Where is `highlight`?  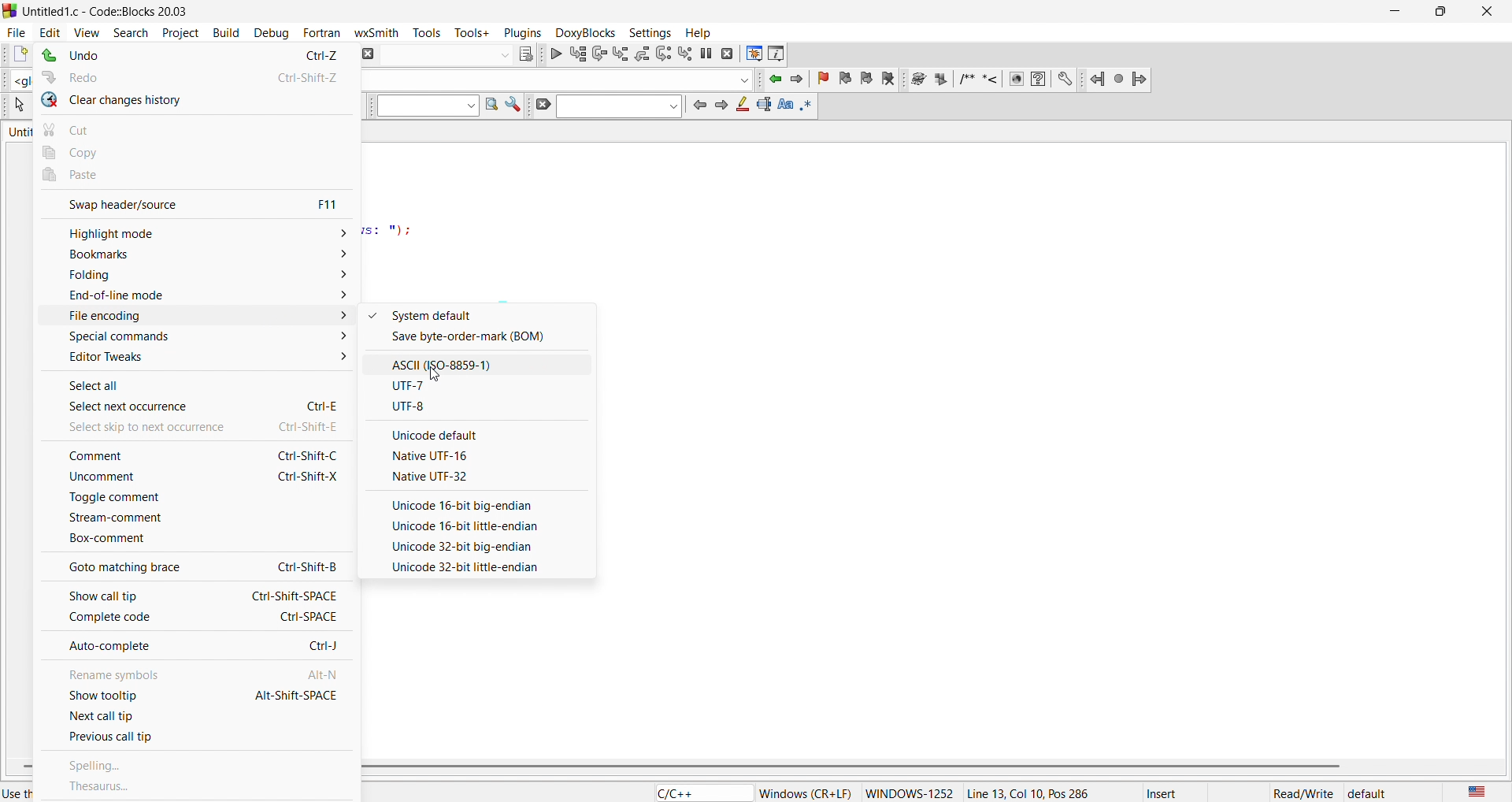 highlight is located at coordinates (741, 105).